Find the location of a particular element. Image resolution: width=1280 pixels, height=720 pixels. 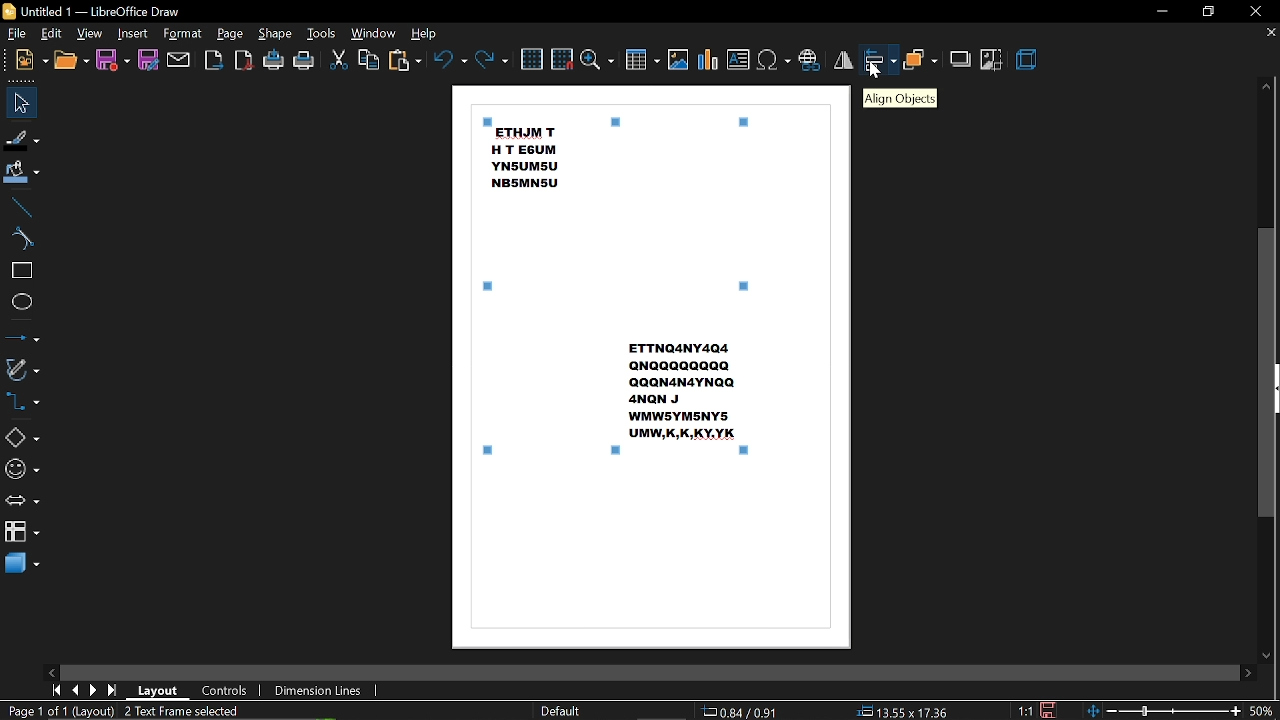

Cursor is located at coordinates (880, 71).